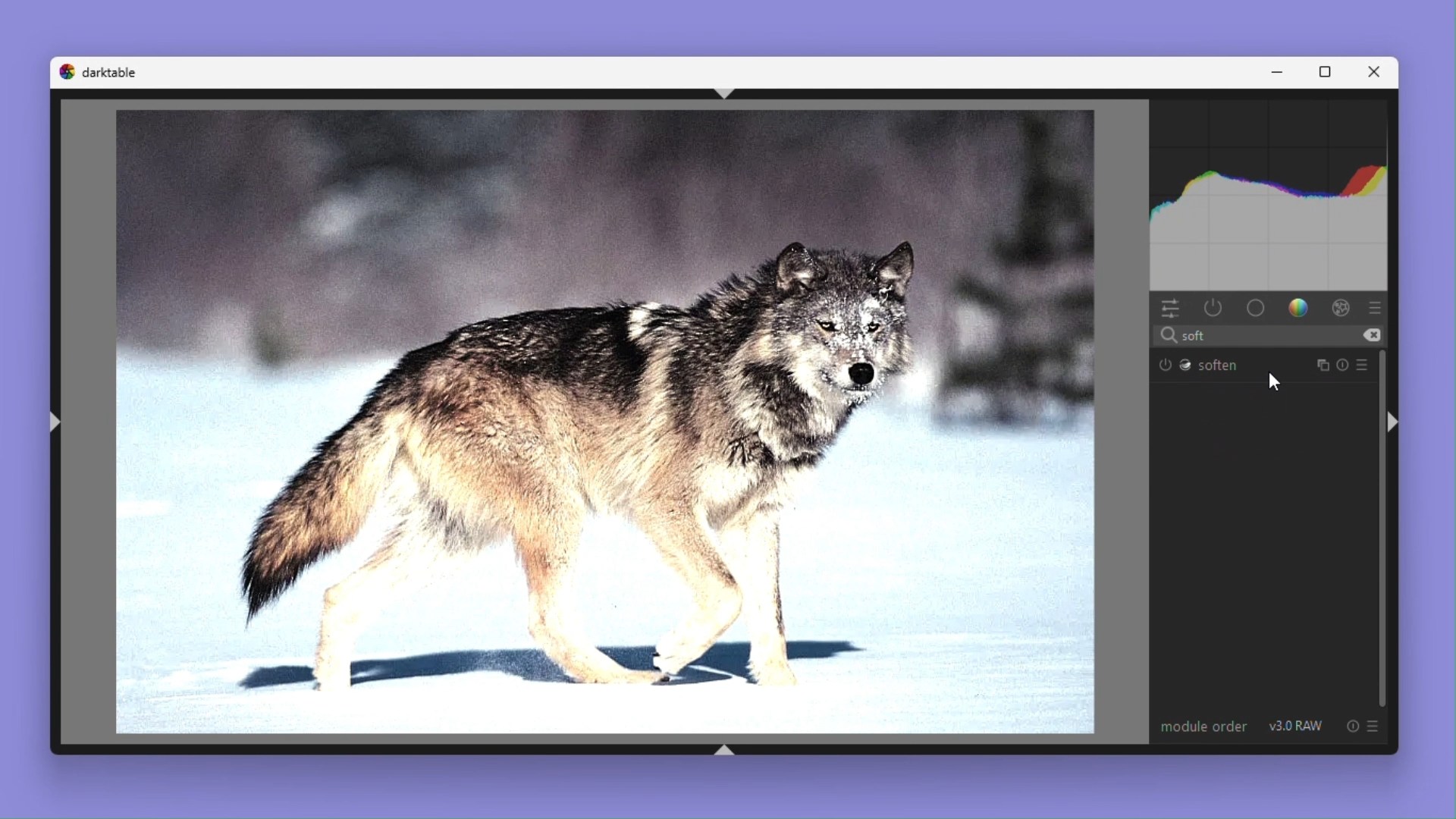 Image resolution: width=1456 pixels, height=819 pixels. I want to click on Show only active modules, so click(1214, 308).